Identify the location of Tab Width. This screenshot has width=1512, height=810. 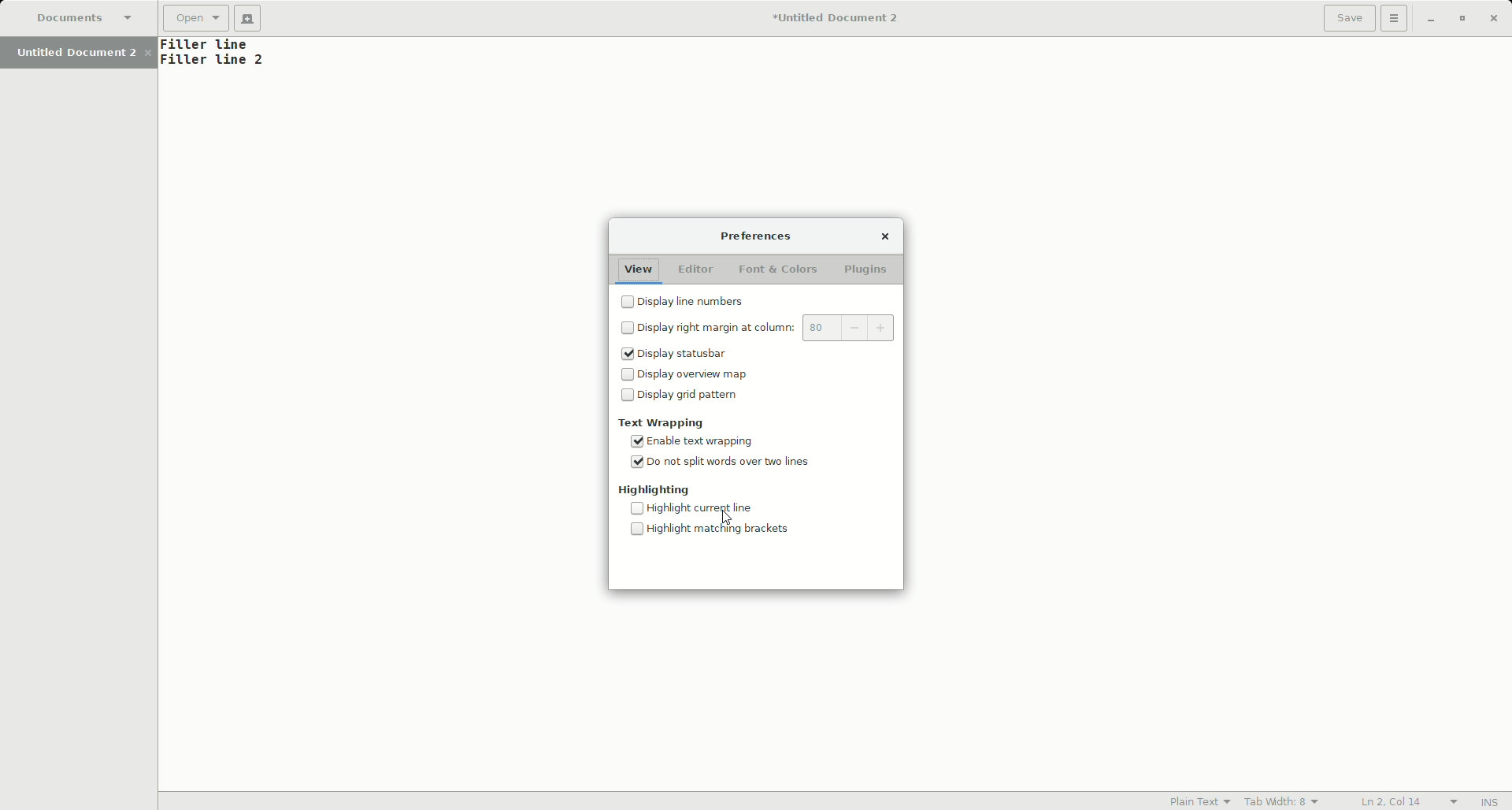
(1284, 800).